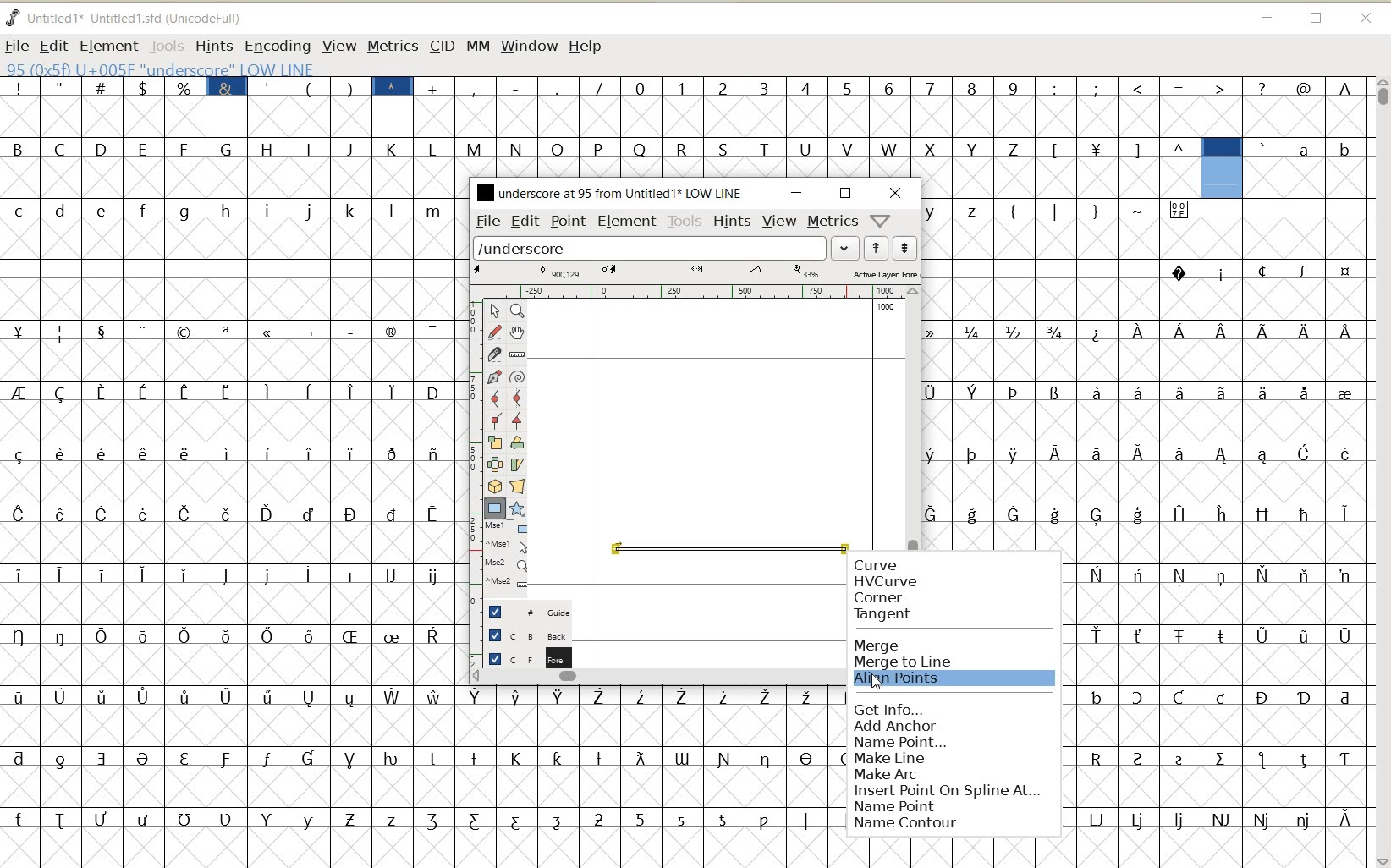 The width and height of the screenshot is (1391, 868). Describe the element at coordinates (923, 663) in the screenshot. I see `merge to line` at that location.